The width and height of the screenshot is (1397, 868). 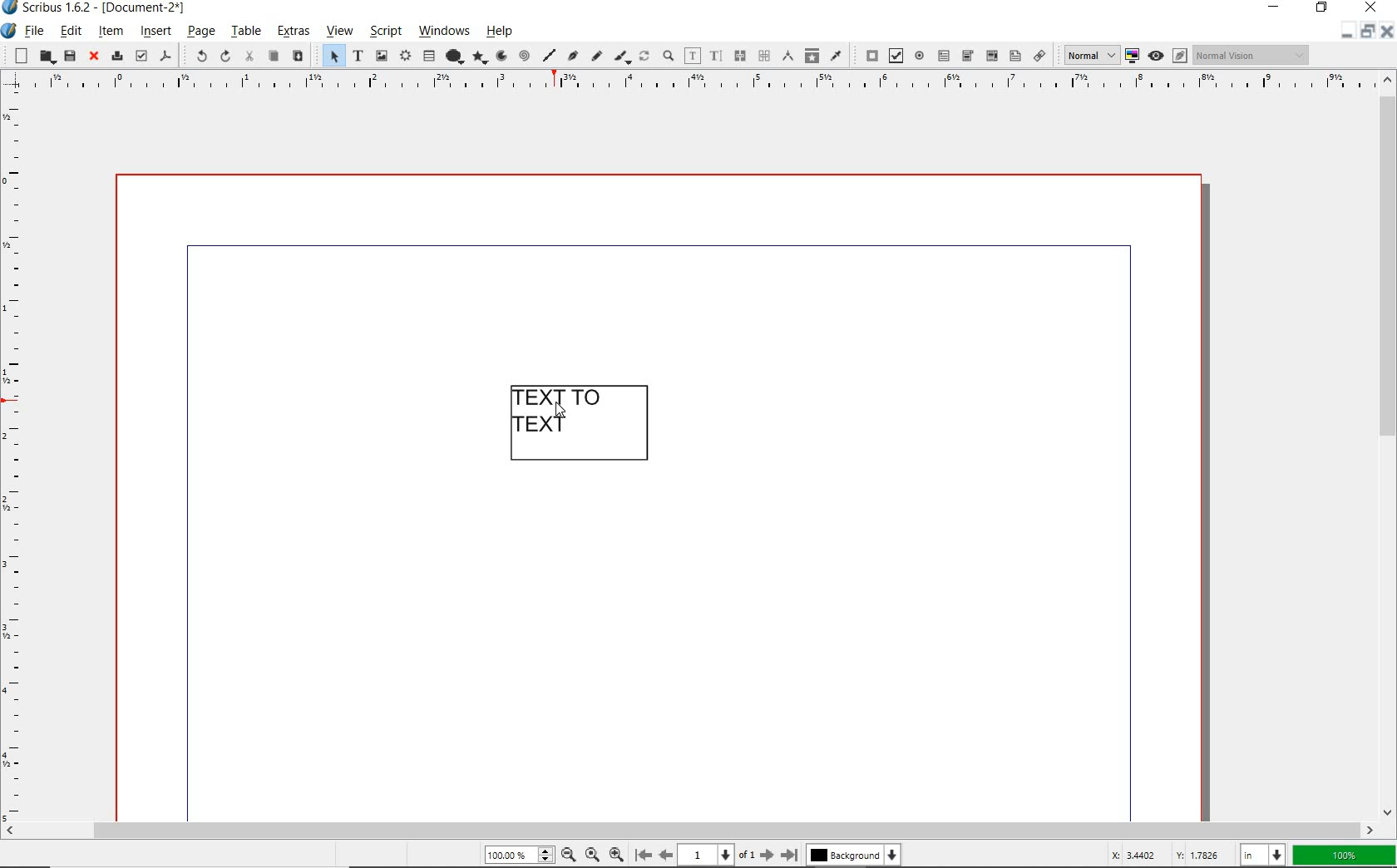 I want to click on zoom factor, so click(x=1345, y=856).